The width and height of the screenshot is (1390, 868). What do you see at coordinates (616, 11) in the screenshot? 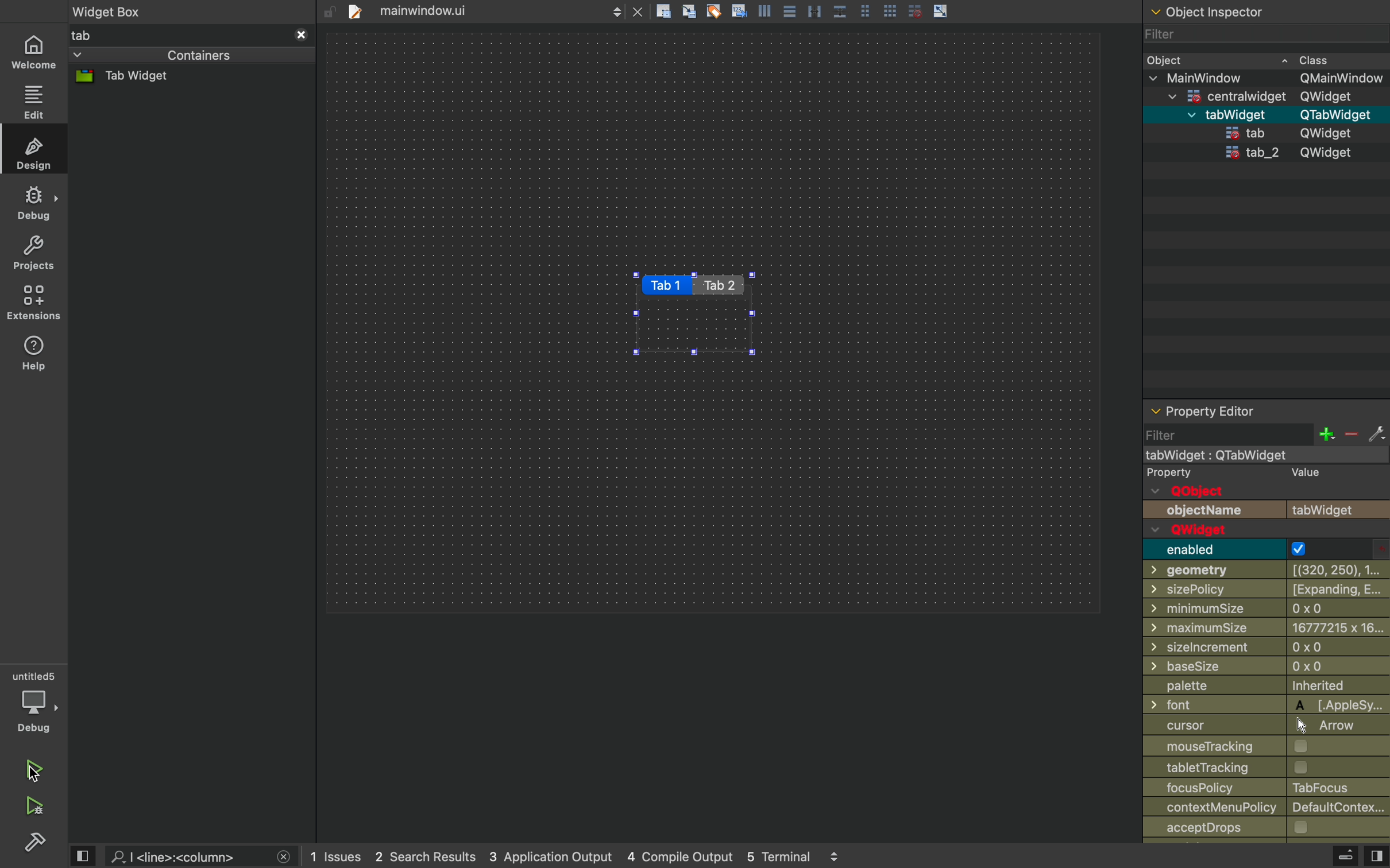
I see `next/back` at bounding box center [616, 11].